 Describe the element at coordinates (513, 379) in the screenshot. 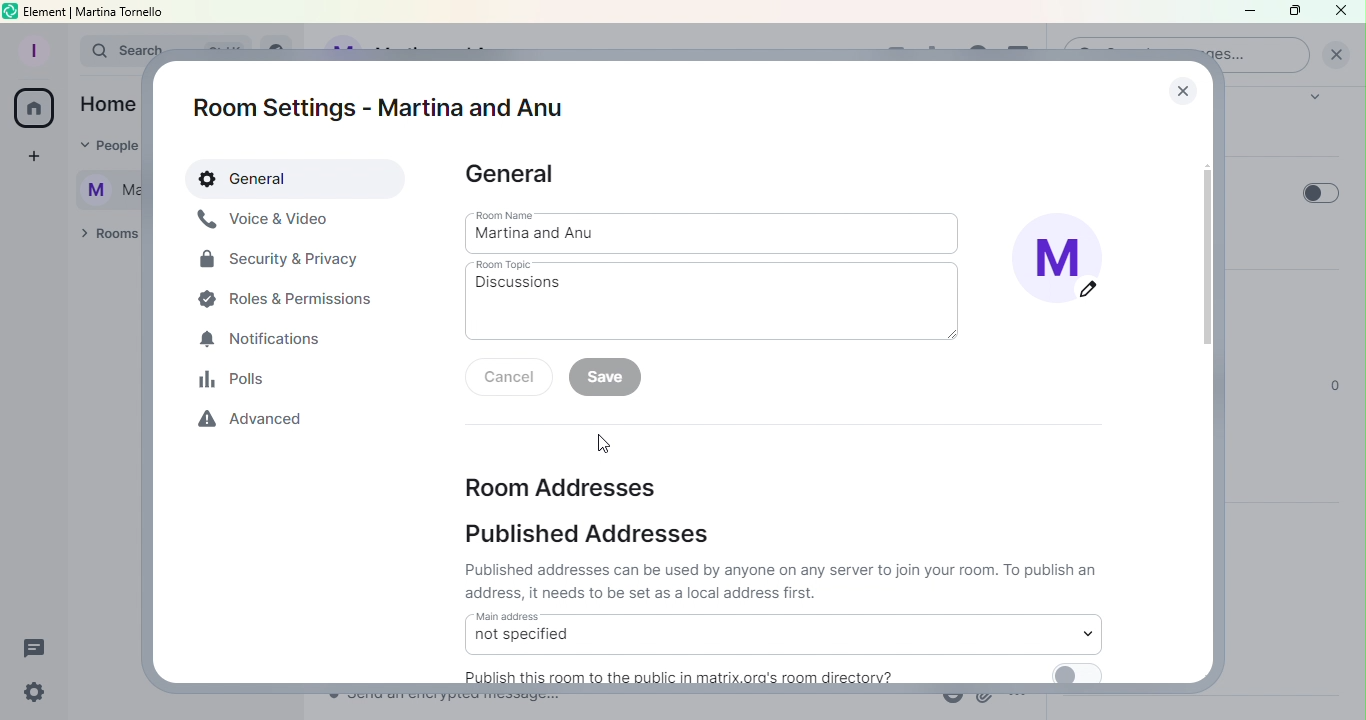

I see `Cancel` at that location.